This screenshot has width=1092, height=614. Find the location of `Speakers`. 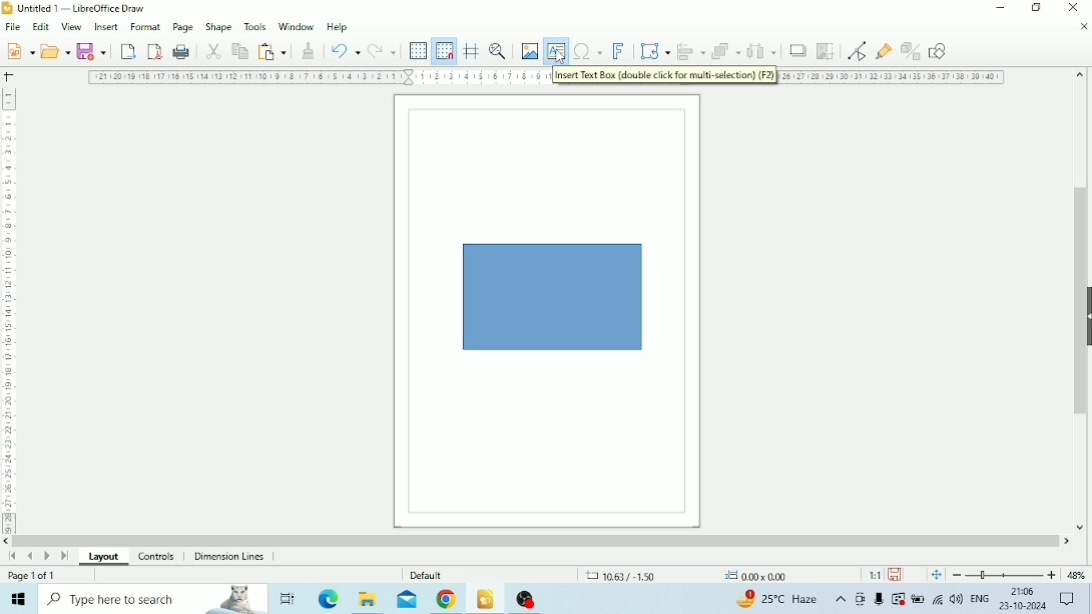

Speakers is located at coordinates (957, 599).